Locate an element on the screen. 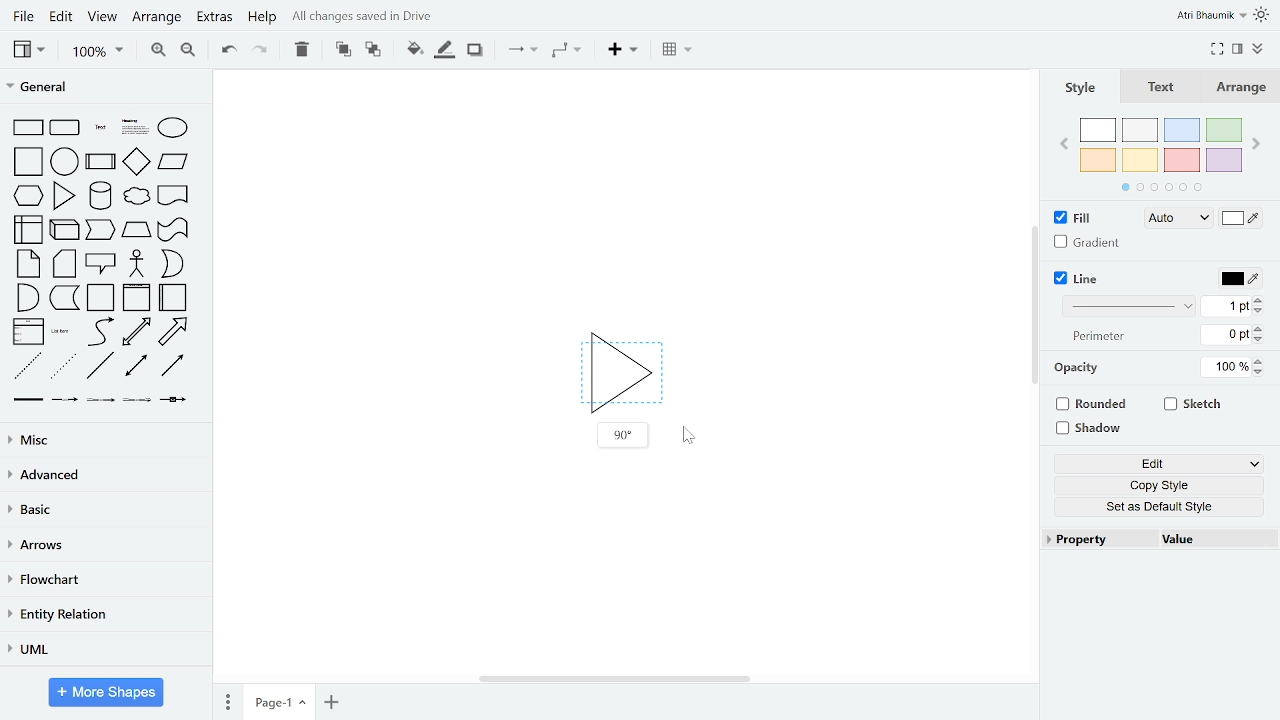 The image size is (1280, 720). decrease line width is located at coordinates (1259, 310).